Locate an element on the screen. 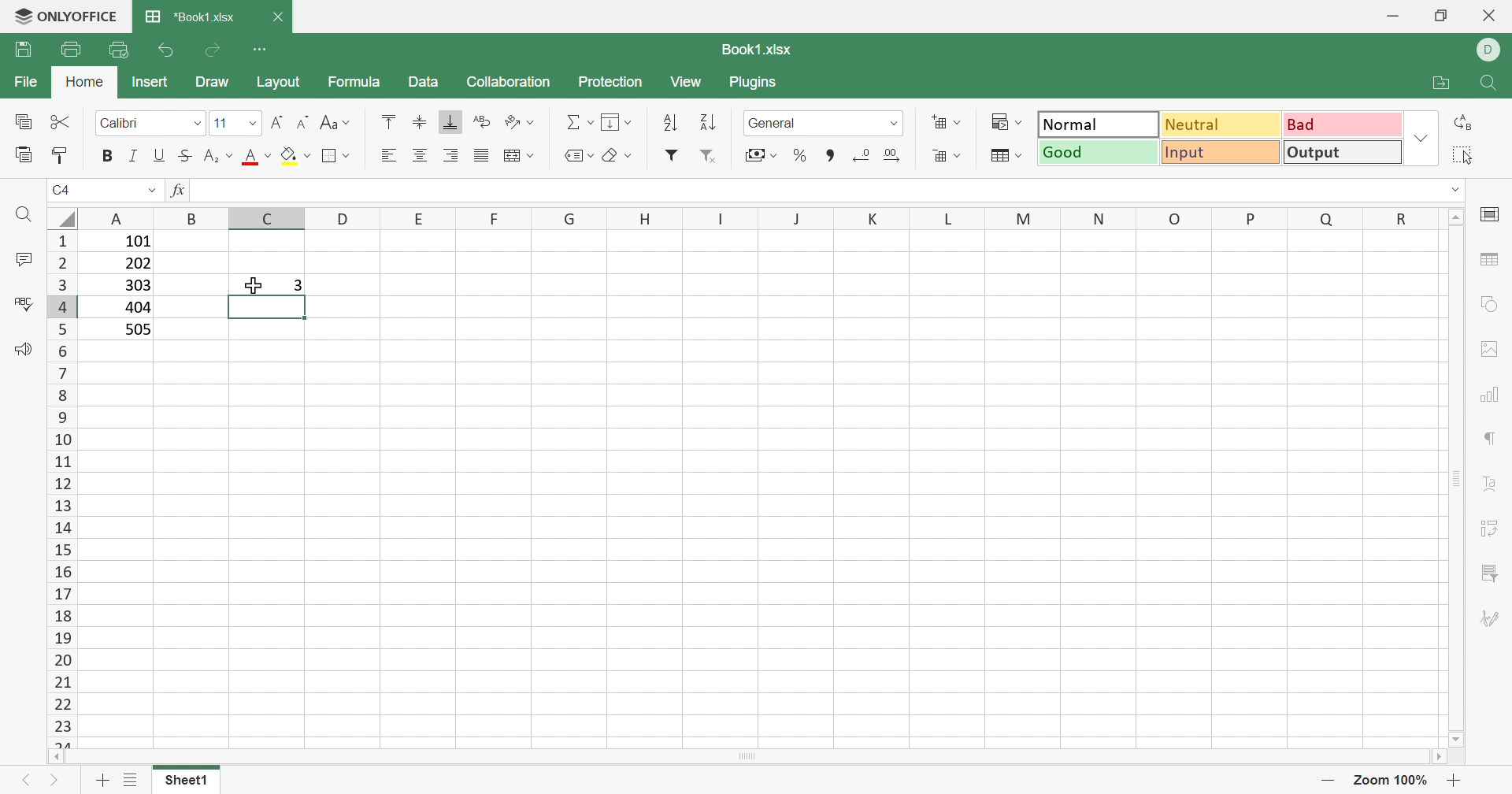  Percent is located at coordinates (802, 158).